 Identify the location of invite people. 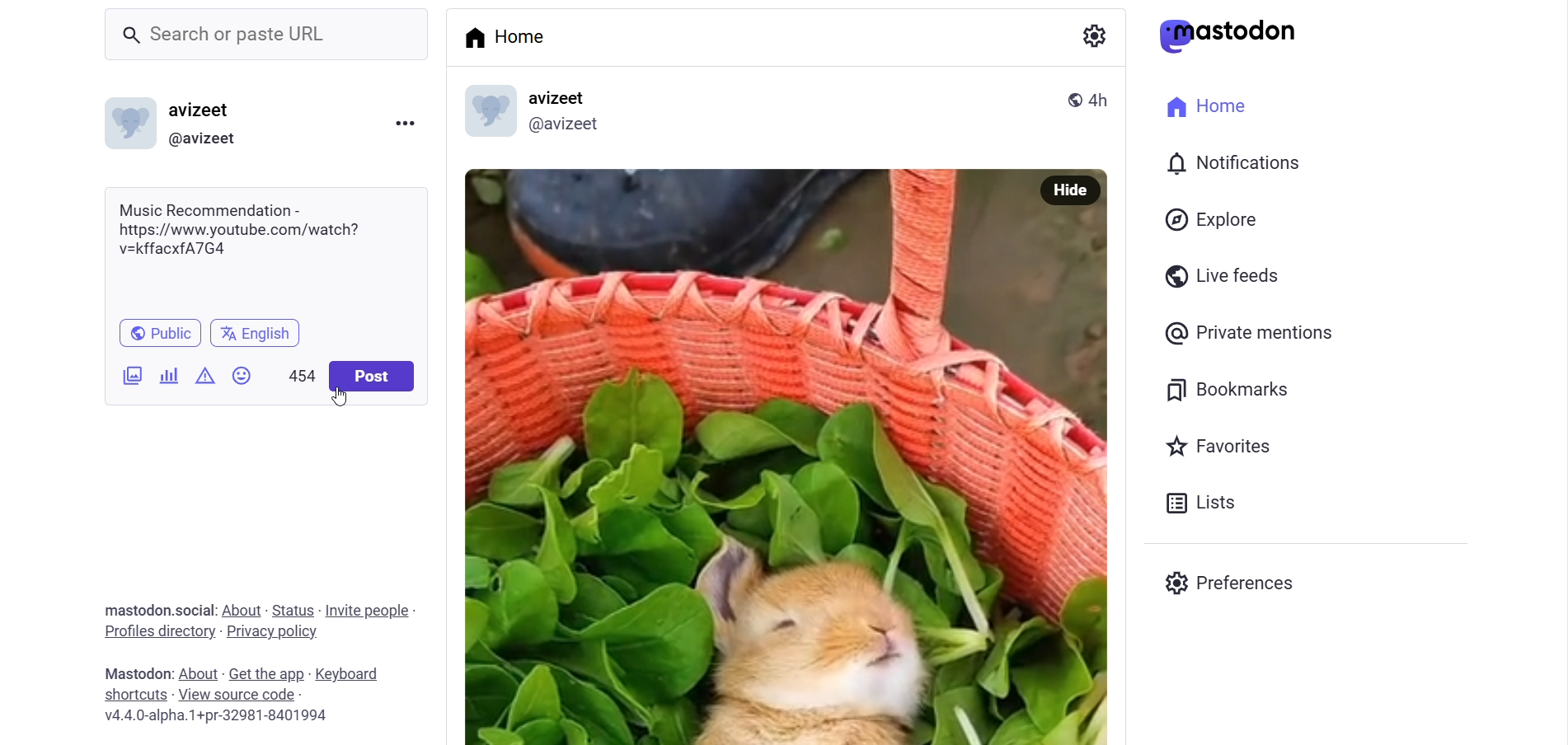
(373, 608).